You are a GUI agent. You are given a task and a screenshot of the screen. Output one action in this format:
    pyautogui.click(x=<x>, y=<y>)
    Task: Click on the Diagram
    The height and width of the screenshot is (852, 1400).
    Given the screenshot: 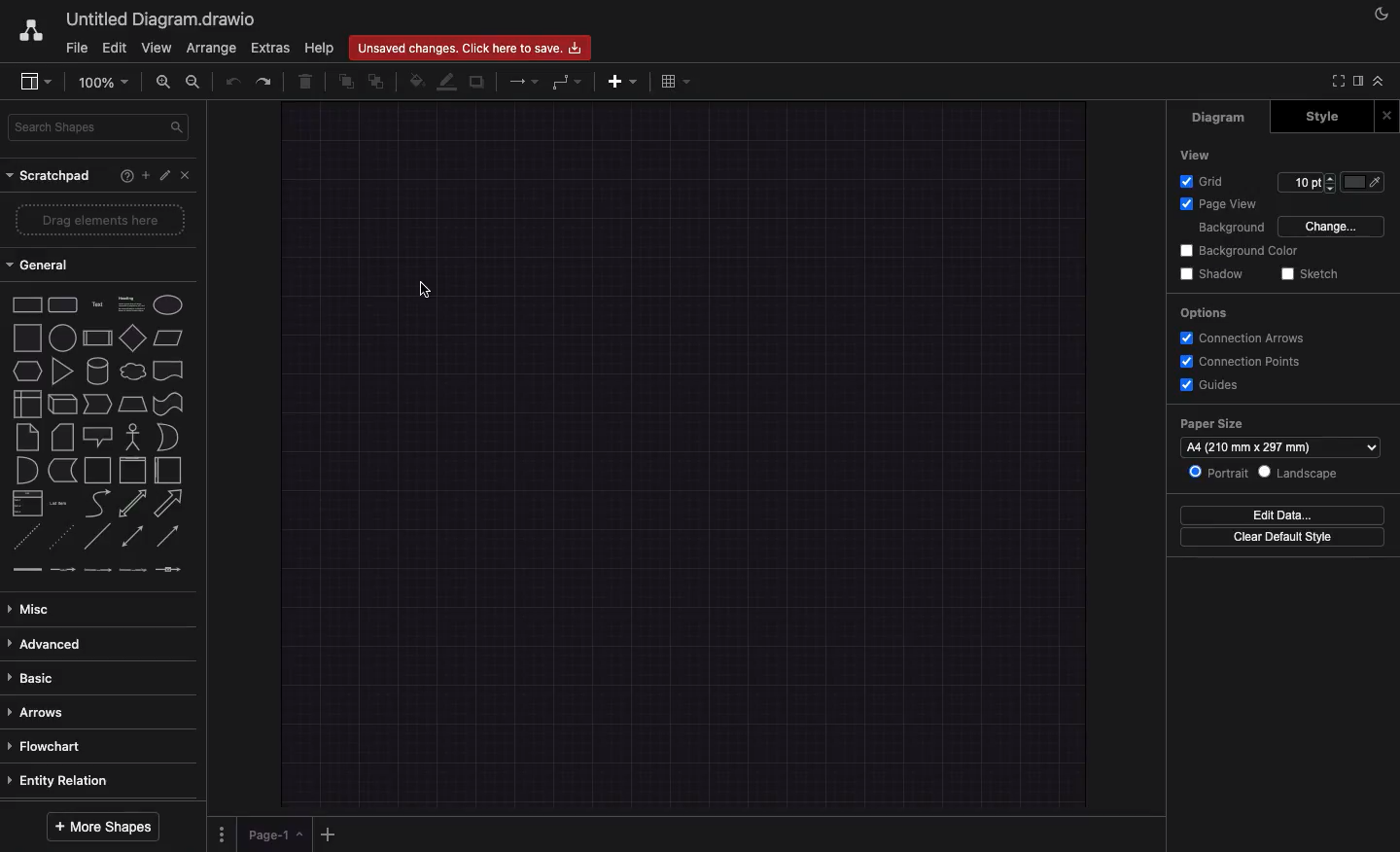 What is the action you would take?
    pyautogui.click(x=1218, y=119)
    